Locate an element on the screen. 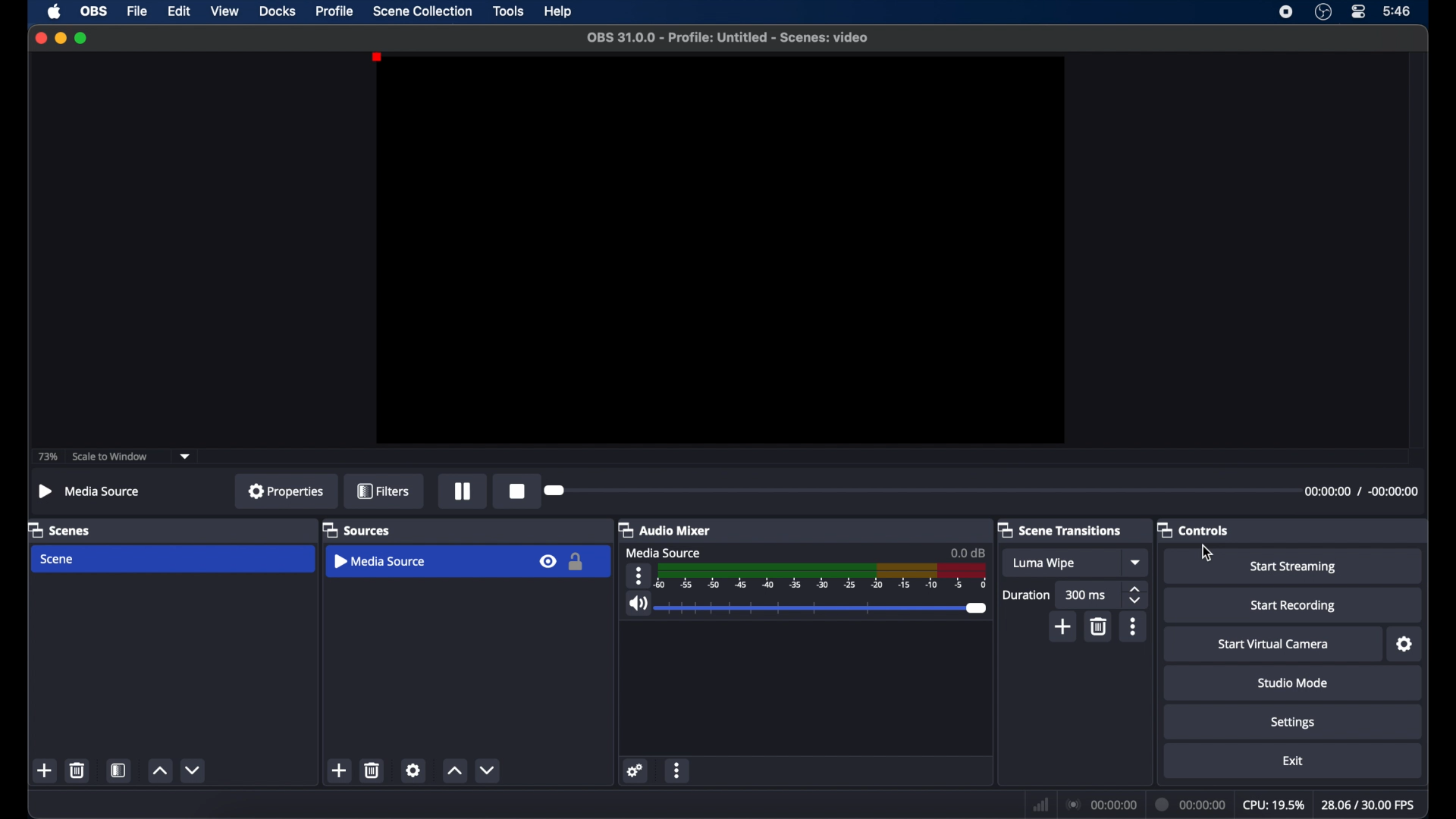  scene filters is located at coordinates (119, 770).